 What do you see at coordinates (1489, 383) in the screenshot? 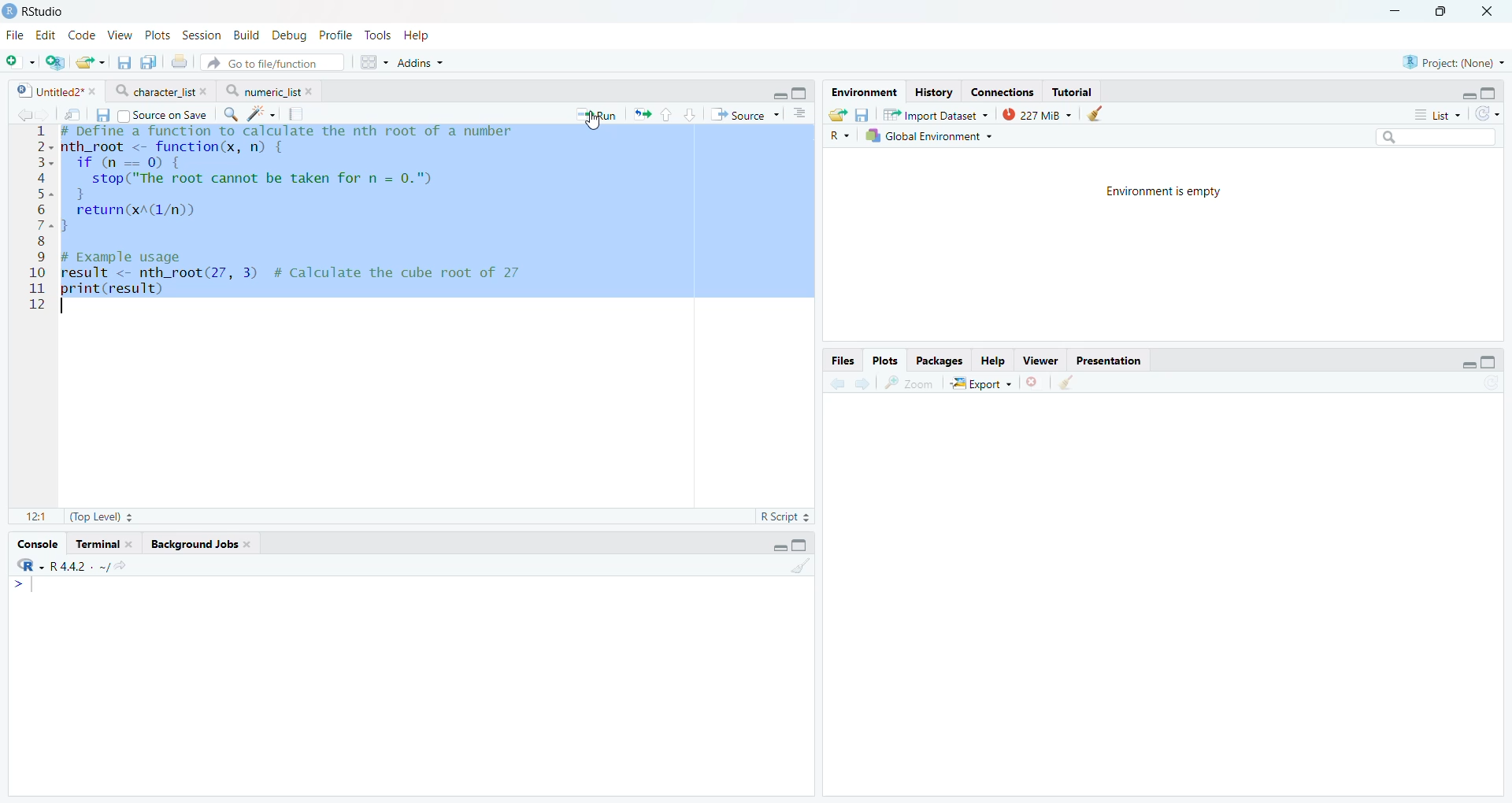
I see `Refresh list` at bounding box center [1489, 383].